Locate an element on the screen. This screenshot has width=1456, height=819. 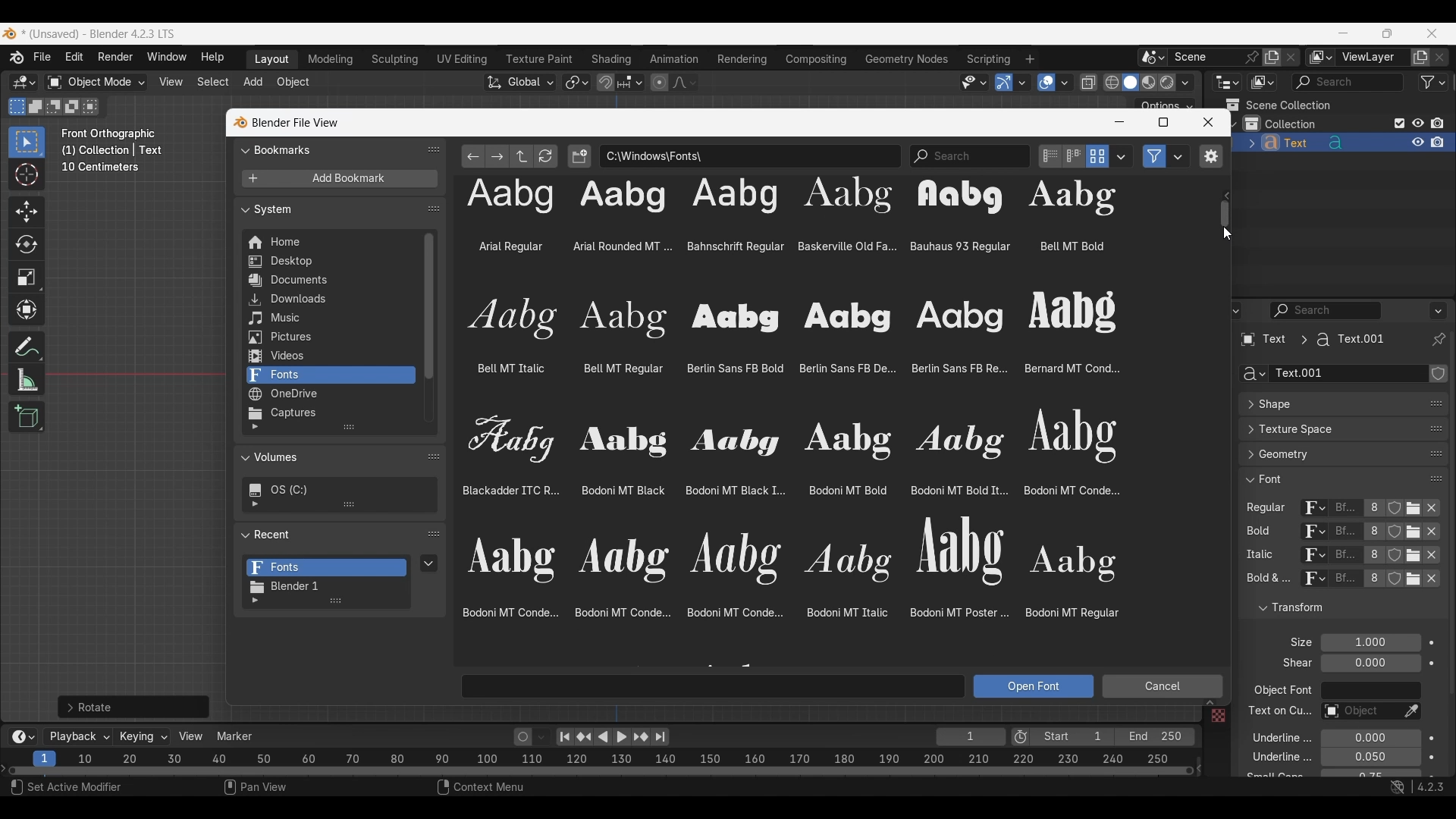
Browse ID data is located at coordinates (1307, 533).